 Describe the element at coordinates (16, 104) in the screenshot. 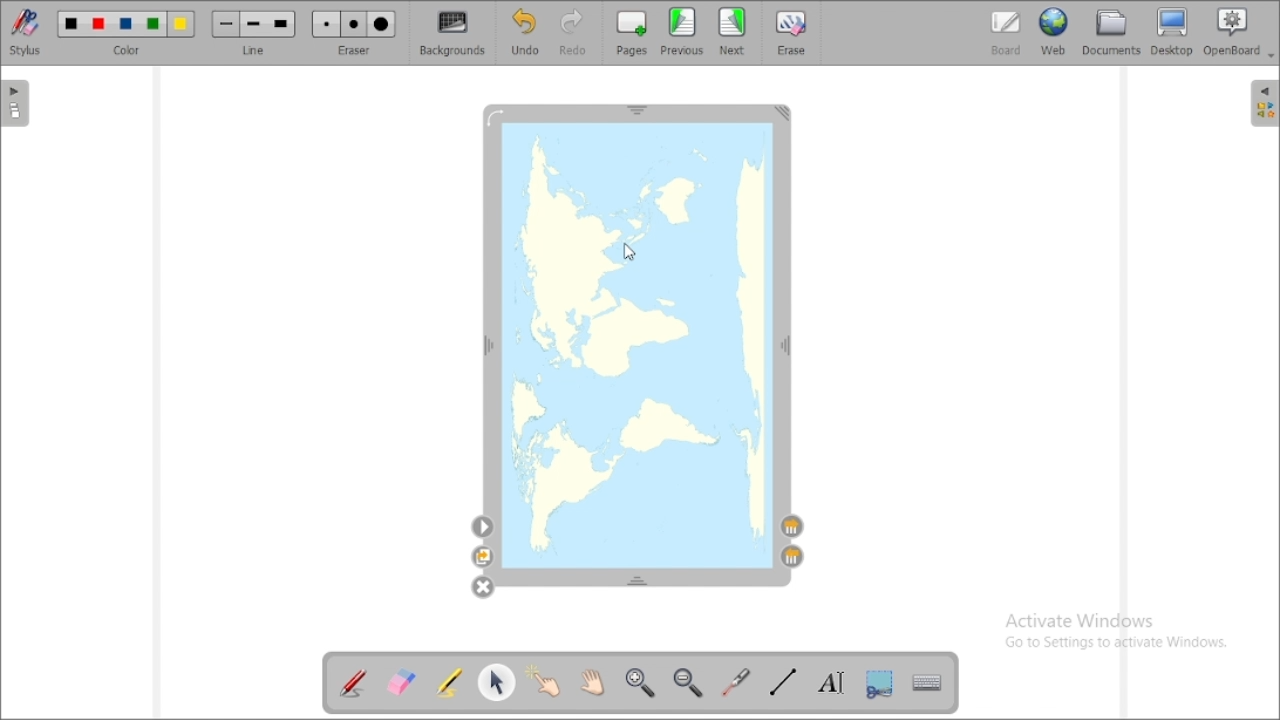

I see `pages pane` at that location.